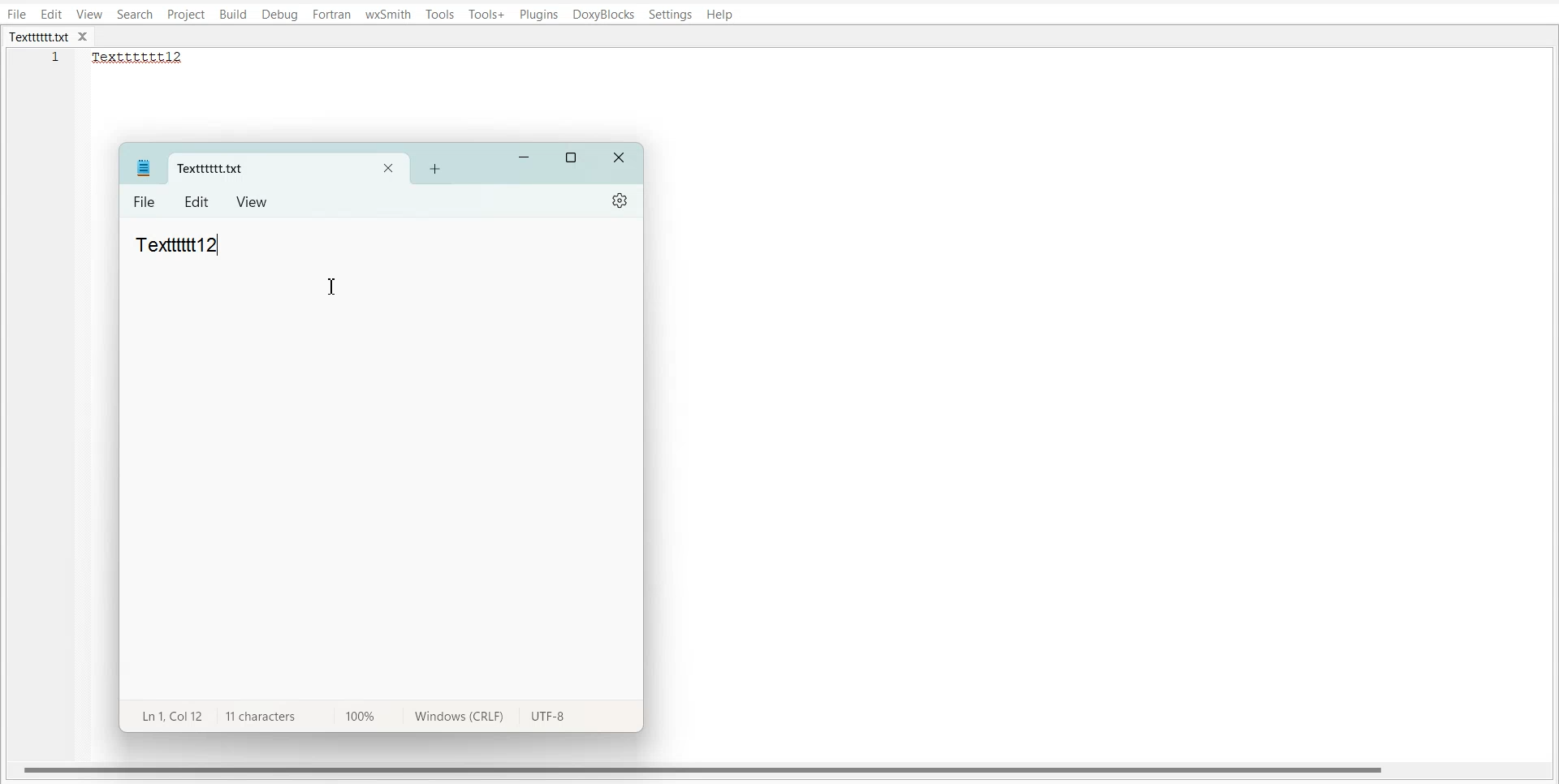 The image size is (1559, 784). What do you see at coordinates (548, 718) in the screenshot?
I see `UTF-8` at bounding box center [548, 718].